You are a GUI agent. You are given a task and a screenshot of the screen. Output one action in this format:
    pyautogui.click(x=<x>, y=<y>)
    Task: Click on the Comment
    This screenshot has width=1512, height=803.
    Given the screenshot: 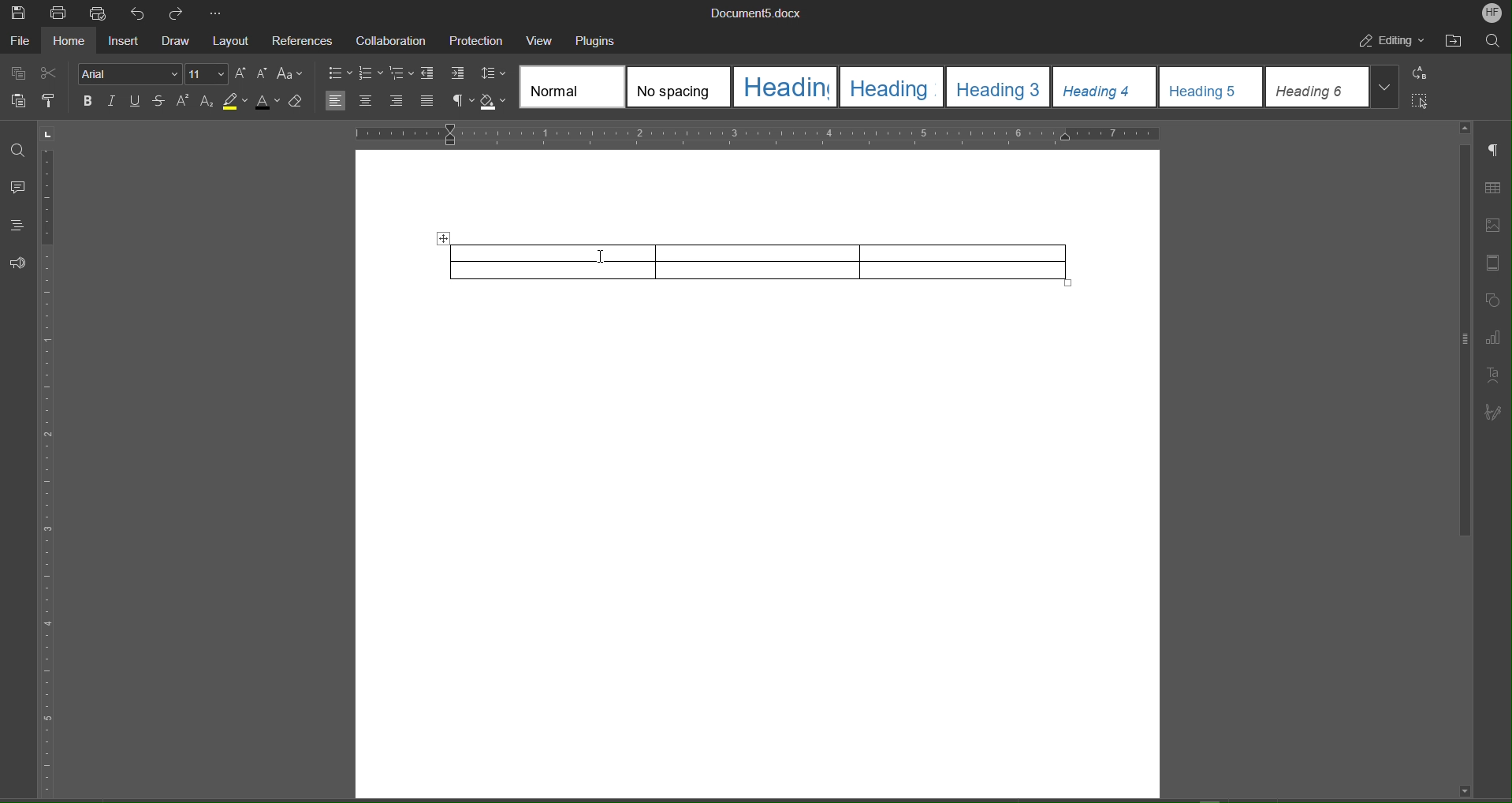 What is the action you would take?
    pyautogui.click(x=19, y=189)
    